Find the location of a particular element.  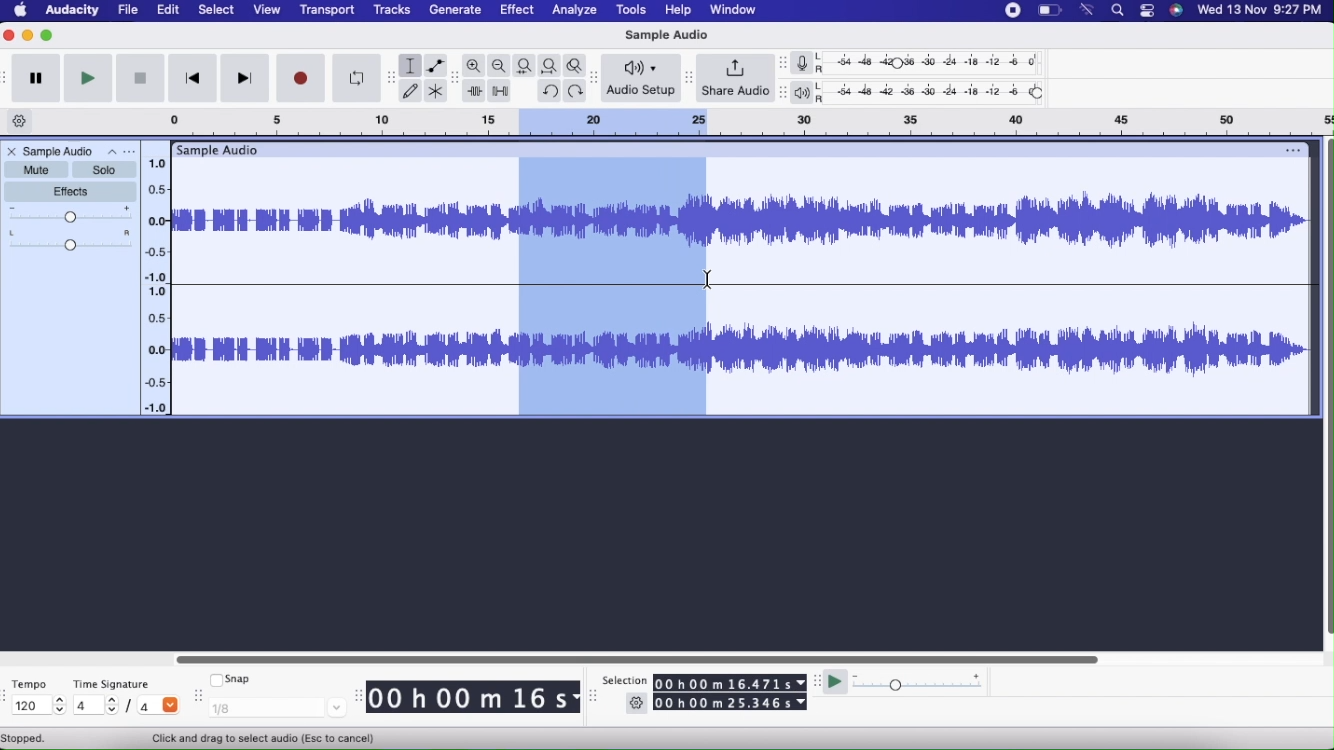

Minimize is located at coordinates (28, 35).